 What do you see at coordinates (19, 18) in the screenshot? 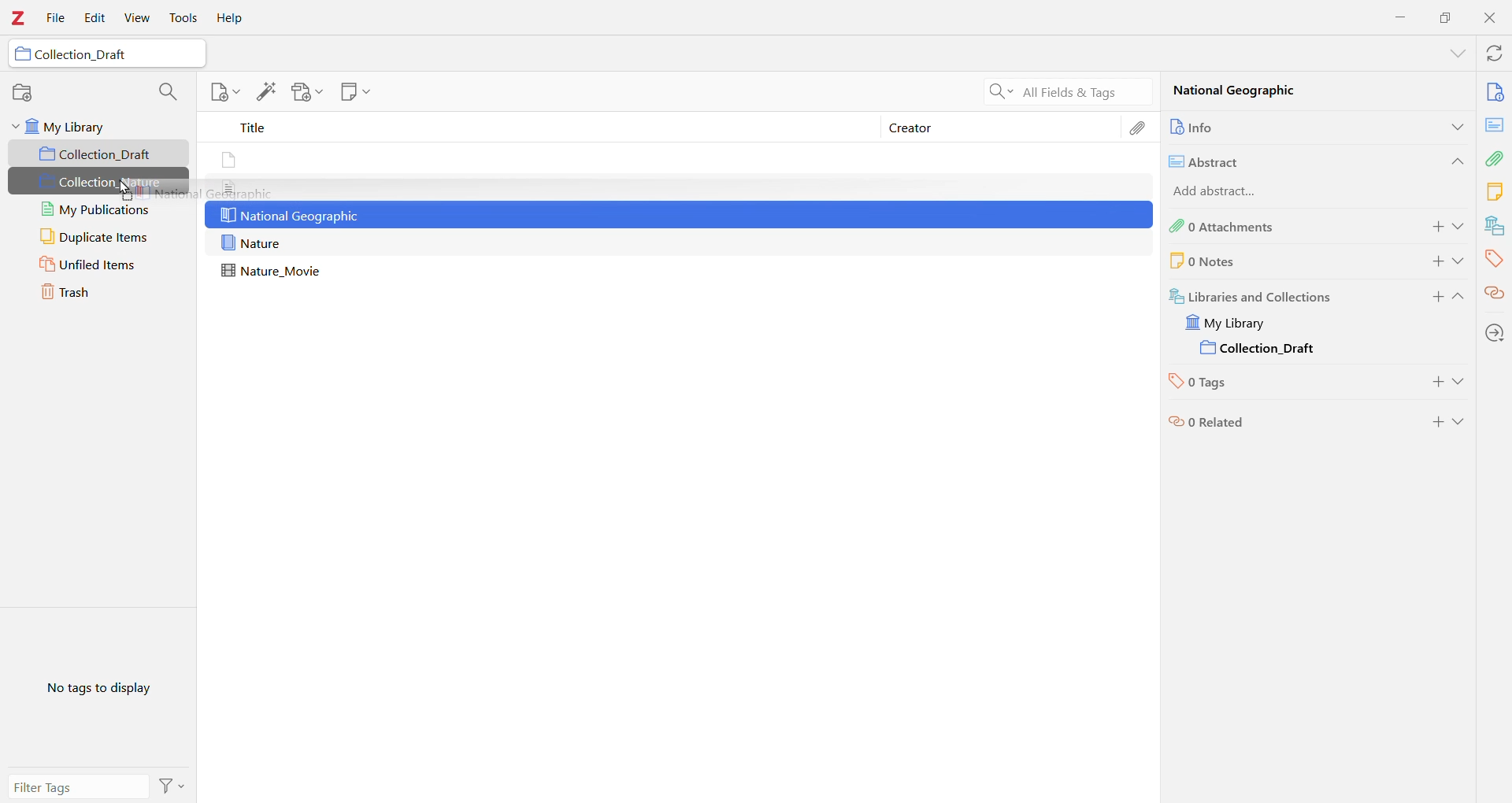
I see `Application Logo` at bounding box center [19, 18].